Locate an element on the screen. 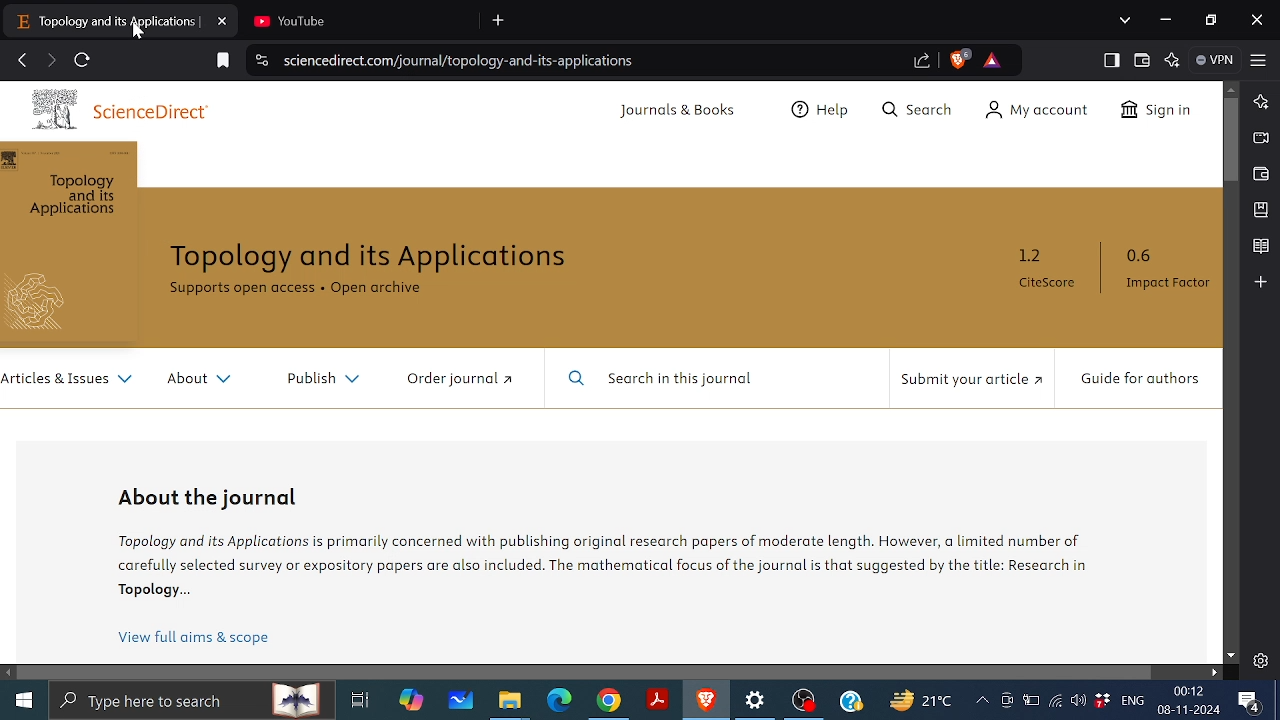  Language is located at coordinates (1133, 699).